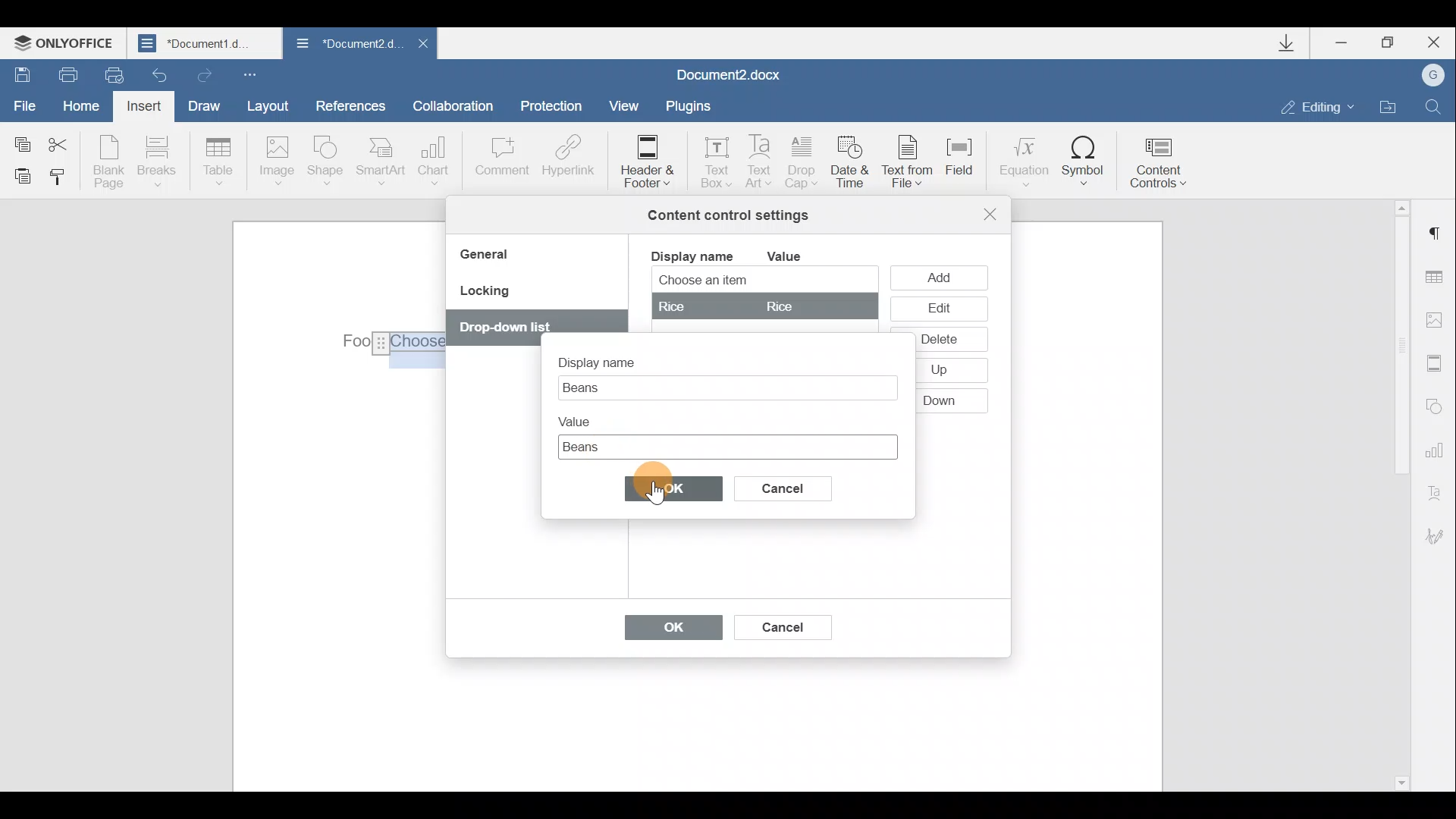  I want to click on Redo, so click(202, 72).